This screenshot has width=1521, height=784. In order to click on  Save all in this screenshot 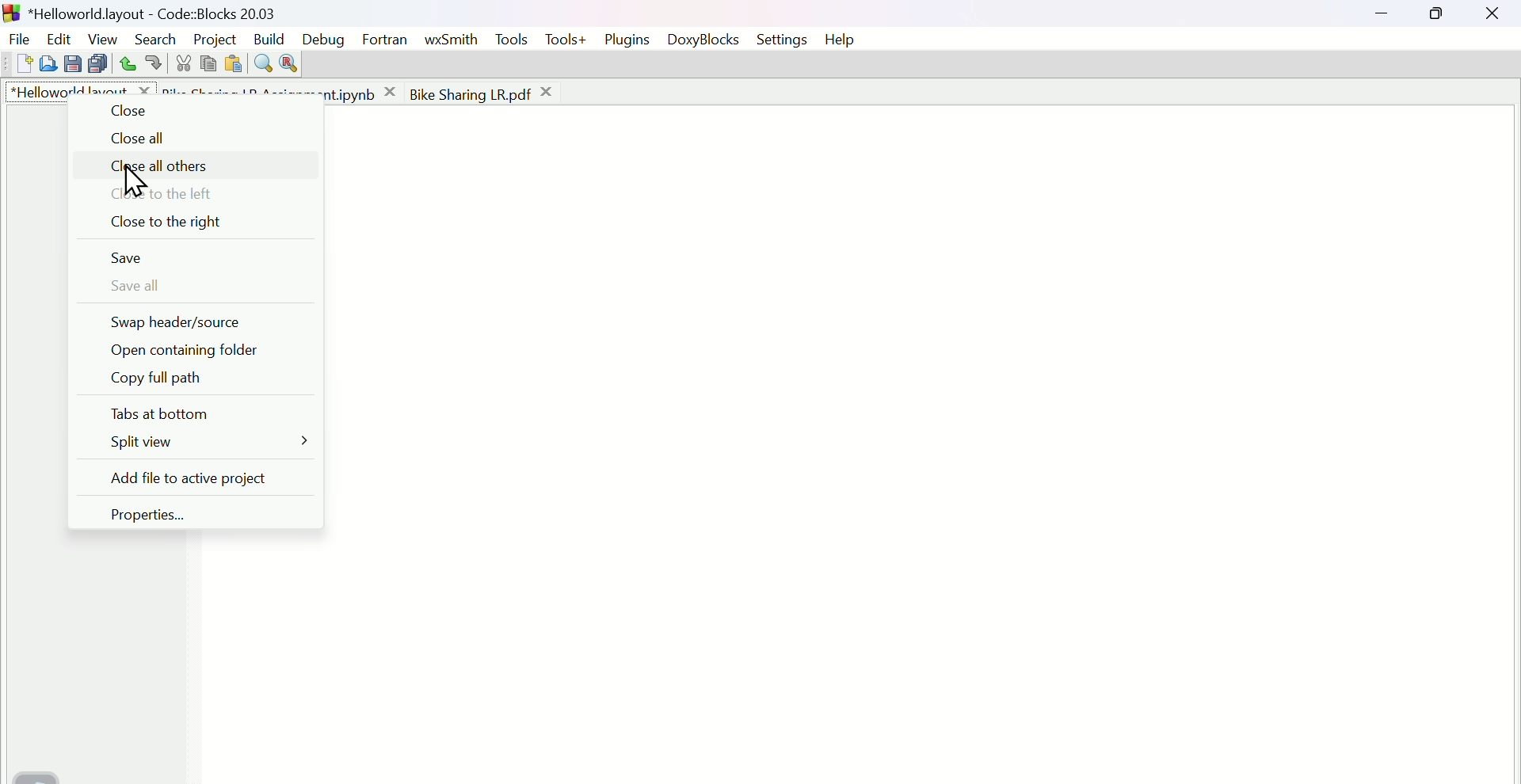, I will do `click(136, 287)`.